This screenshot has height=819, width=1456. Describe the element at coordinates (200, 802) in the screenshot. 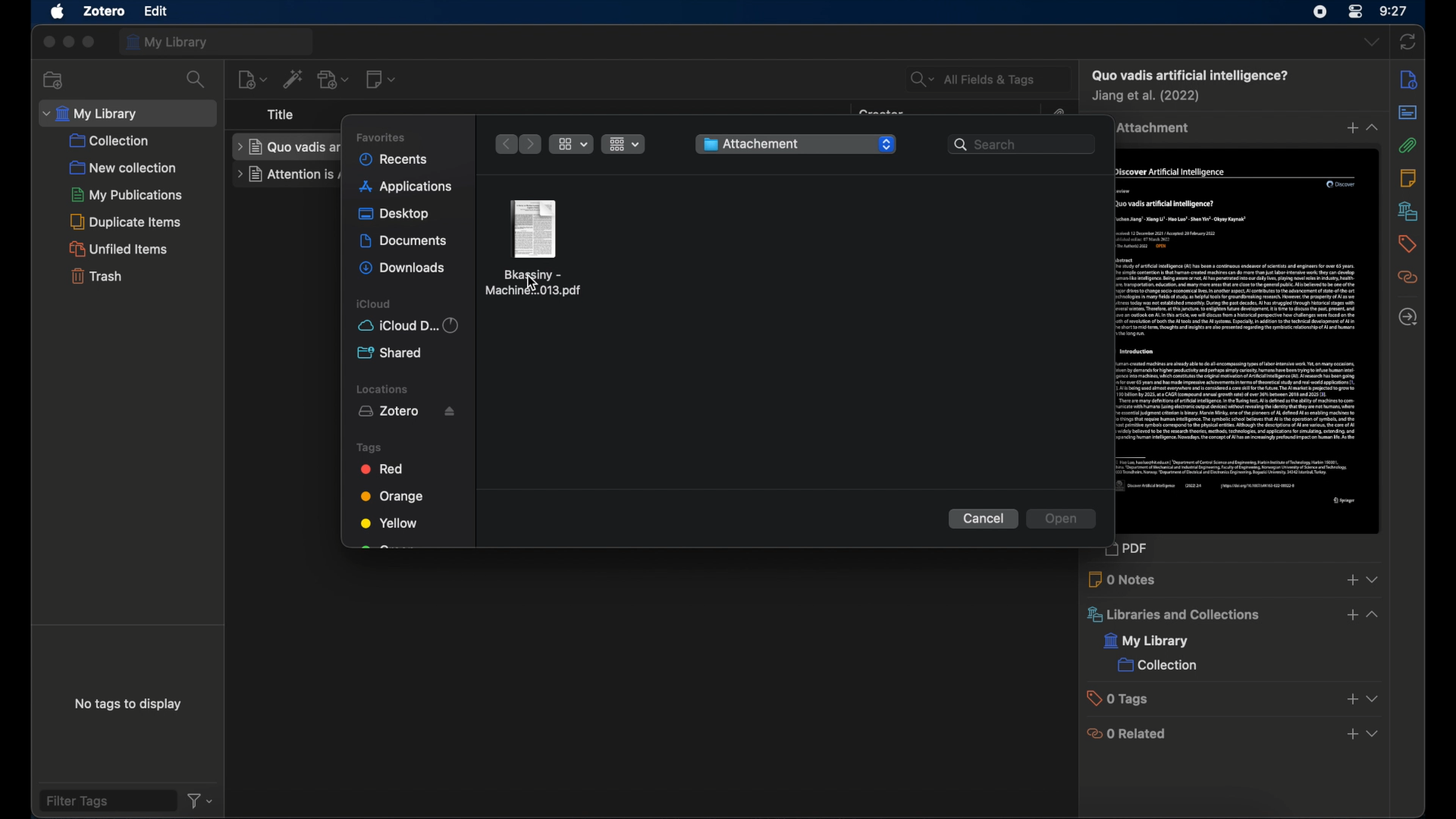

I see `filter dropdown` at that location.